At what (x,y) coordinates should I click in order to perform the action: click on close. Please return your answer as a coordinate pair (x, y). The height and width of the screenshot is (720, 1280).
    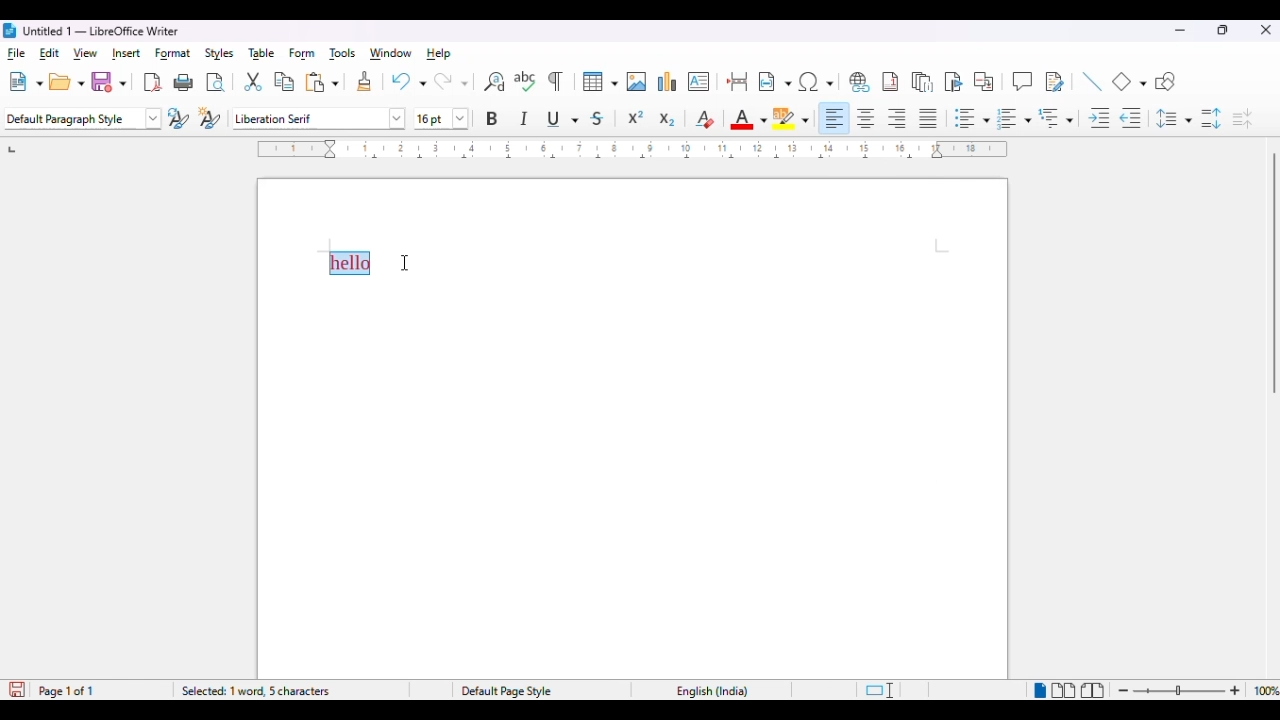
    Looking at the image, I should click on (1266, 31).